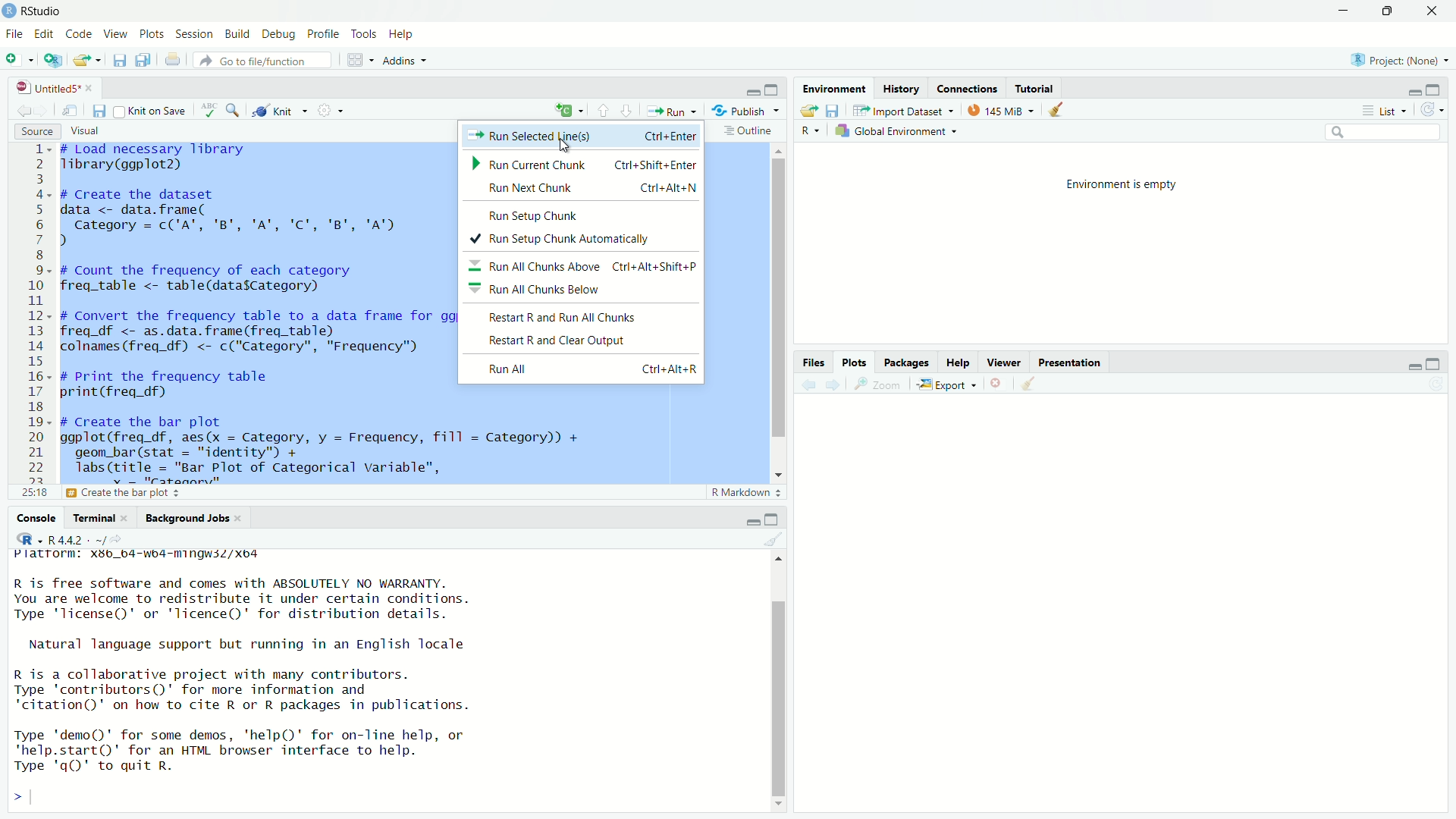  What do you see at coordinates (552, 290) in the screenshot?
I see `| ¥ Run All Chunks Below` at bounding box center [552, 290].